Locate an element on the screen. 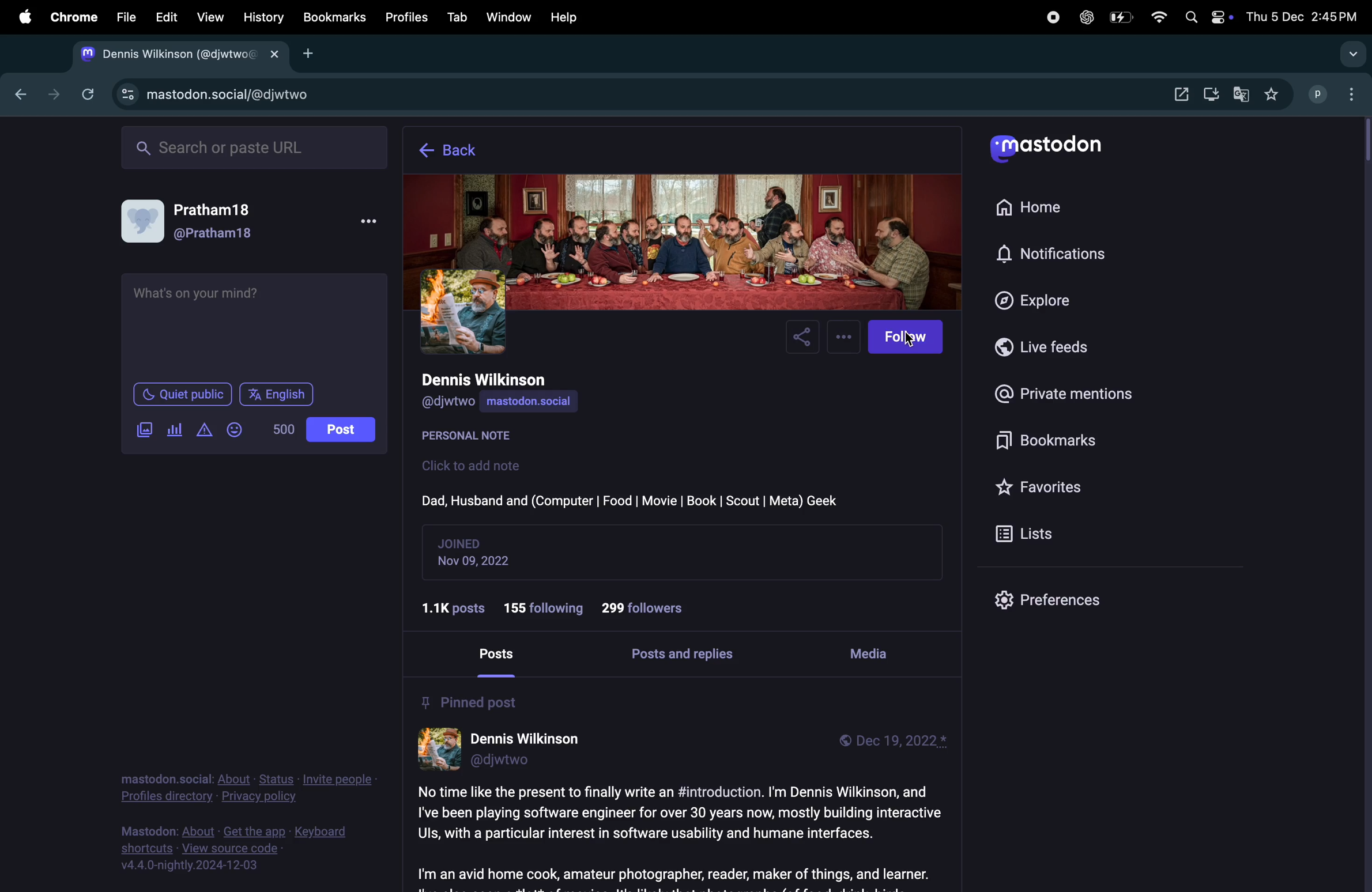 This screenshot has height=892, width=1372. google translate is located at coordinates (1242, 94).